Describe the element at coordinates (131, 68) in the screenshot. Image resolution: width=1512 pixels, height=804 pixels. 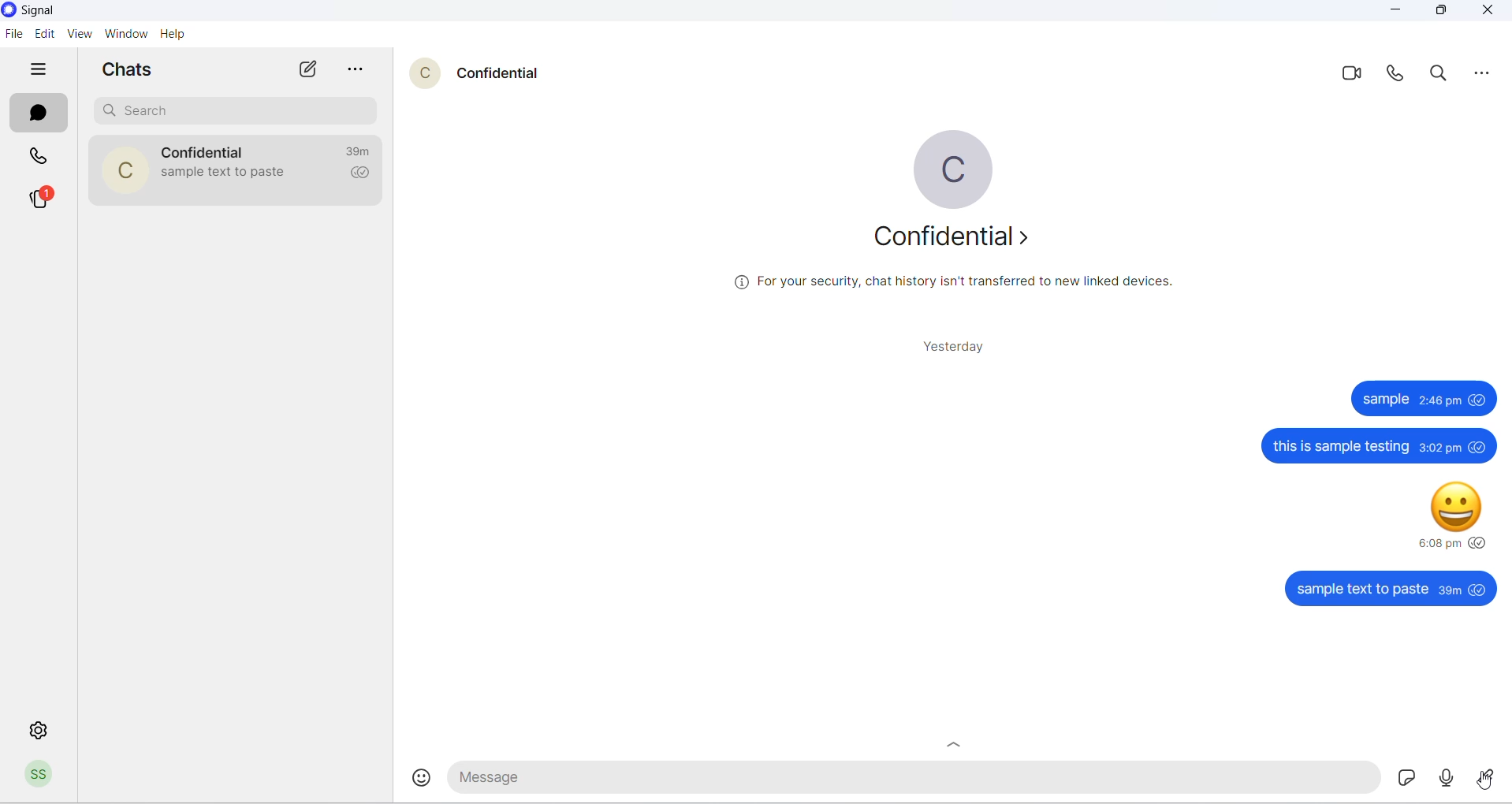
I see `chats heading` at that location.